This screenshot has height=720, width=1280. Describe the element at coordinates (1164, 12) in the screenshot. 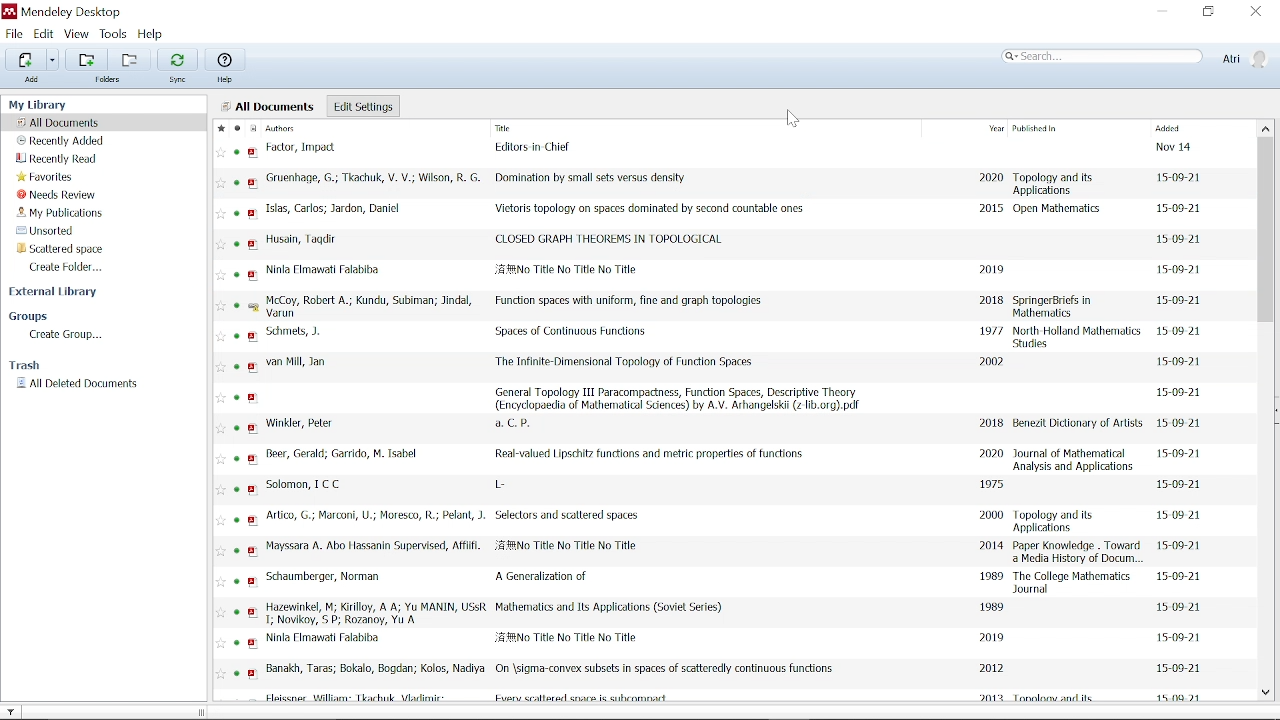

I see `Minimize` at that location.